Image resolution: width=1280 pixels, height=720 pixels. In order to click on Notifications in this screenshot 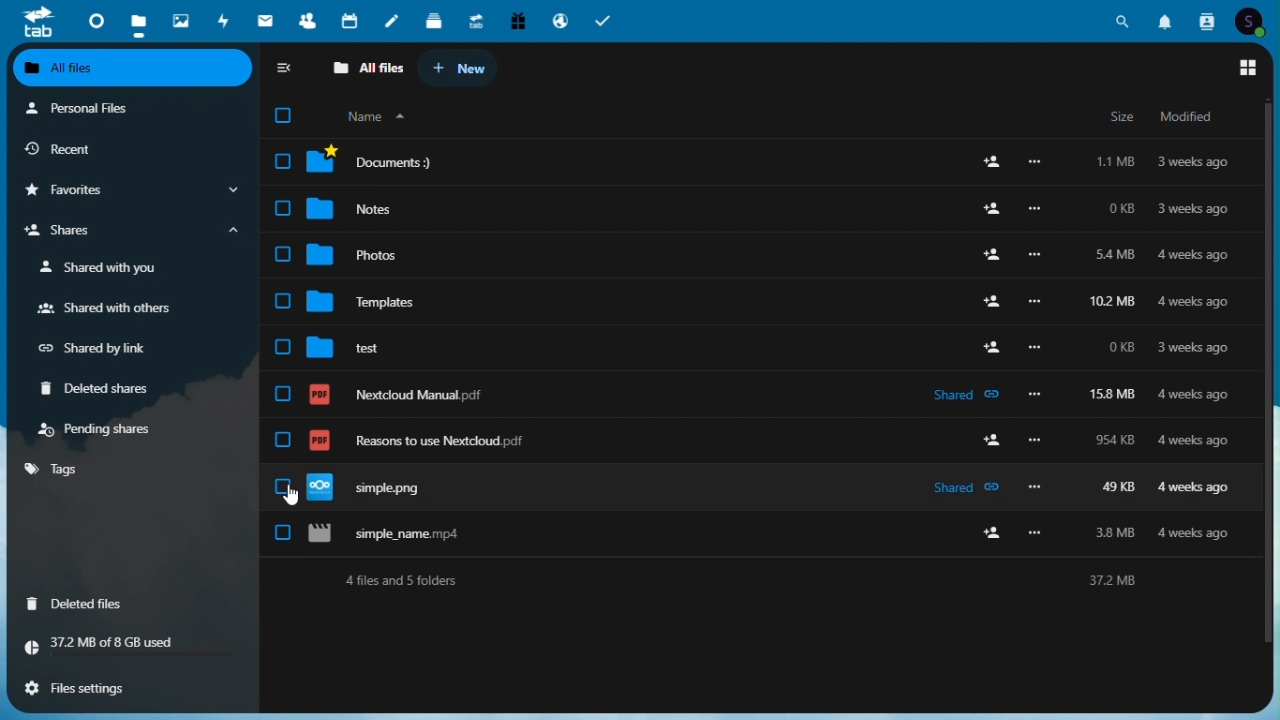, I will do `click(1167, 18)`.